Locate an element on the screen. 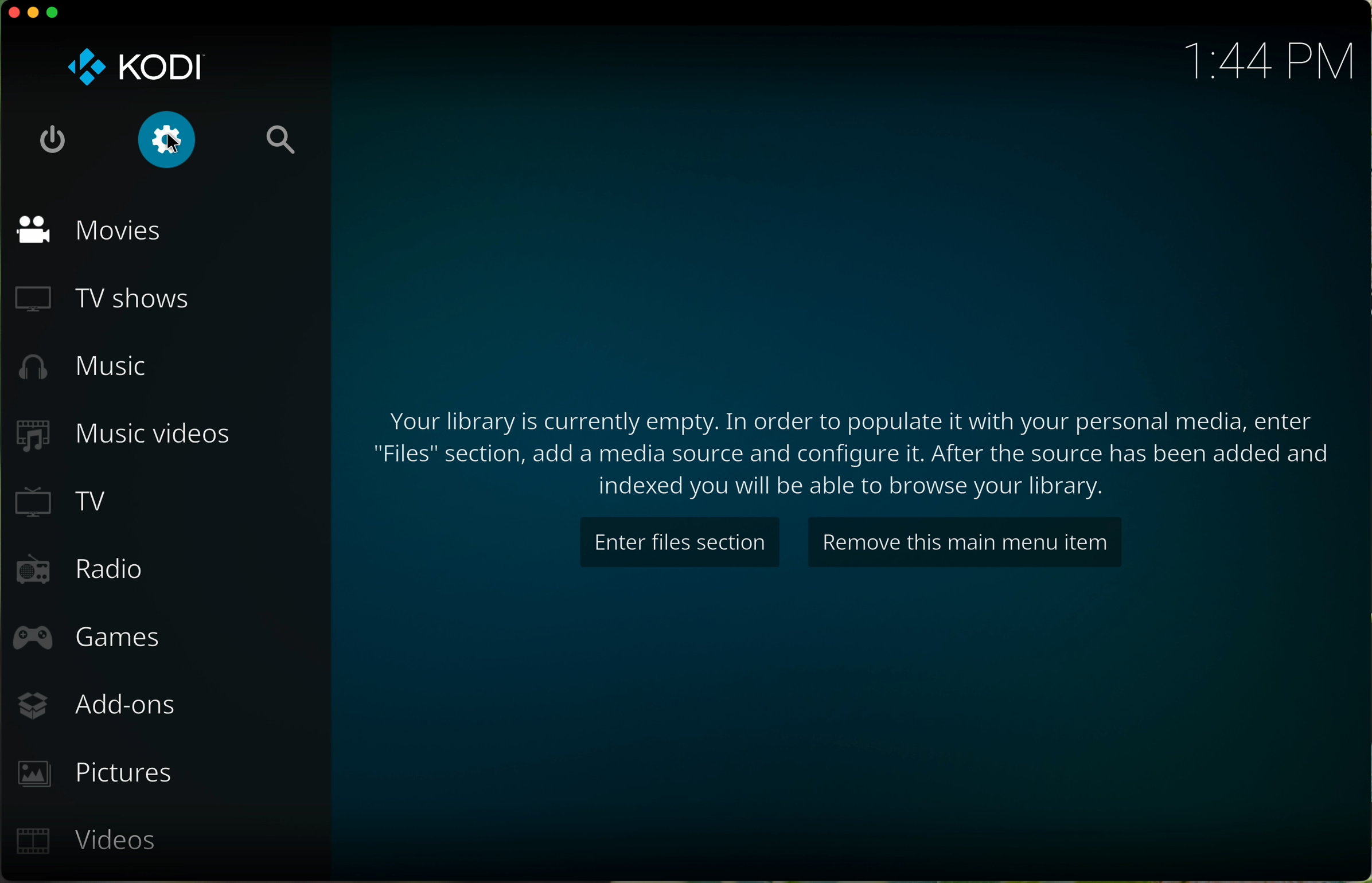  TV shows is located at coordinates (106, 298).